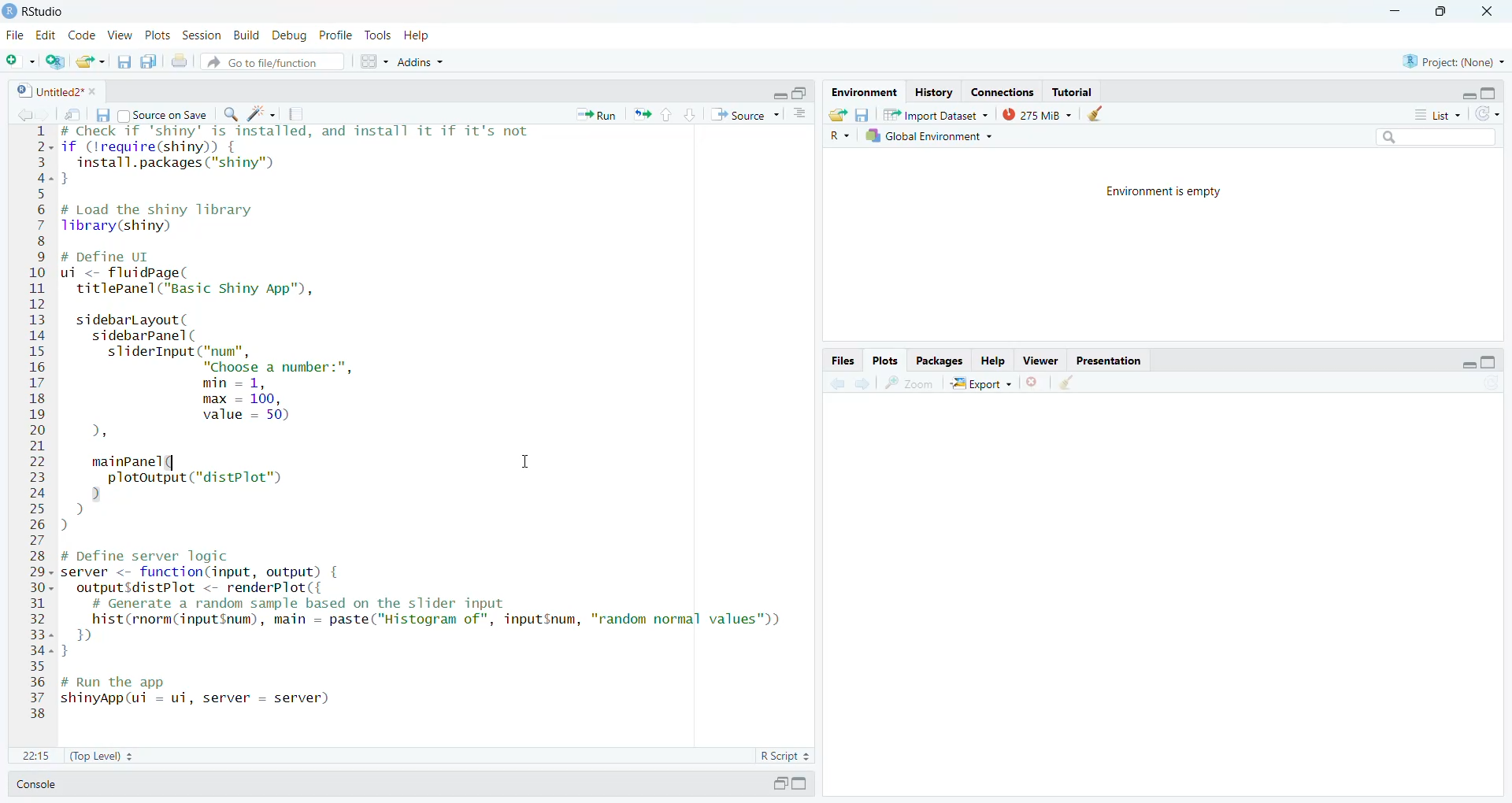 Image resolution: width=1512 pixels, height=803 pixels. What do you see at coordinates (195, 275) in the screenshot?
I see `# Define UI ui <- fluidpage(titlePanel ("Basic Shiny App"),` at bounding box center [195, 275].